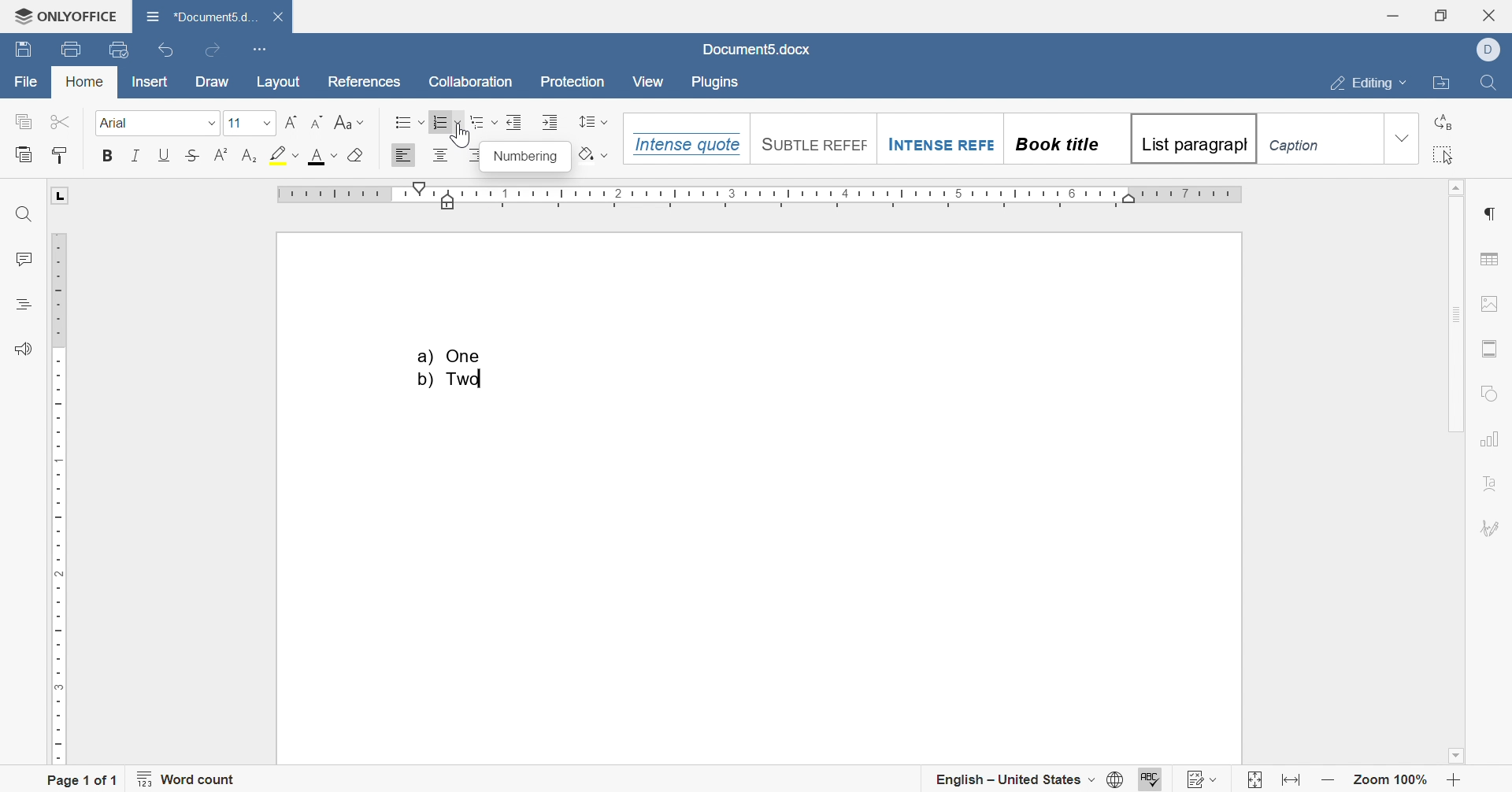  Describe the element at coordinates (248, 154) in the screenshot. I see `subscript` at that location.